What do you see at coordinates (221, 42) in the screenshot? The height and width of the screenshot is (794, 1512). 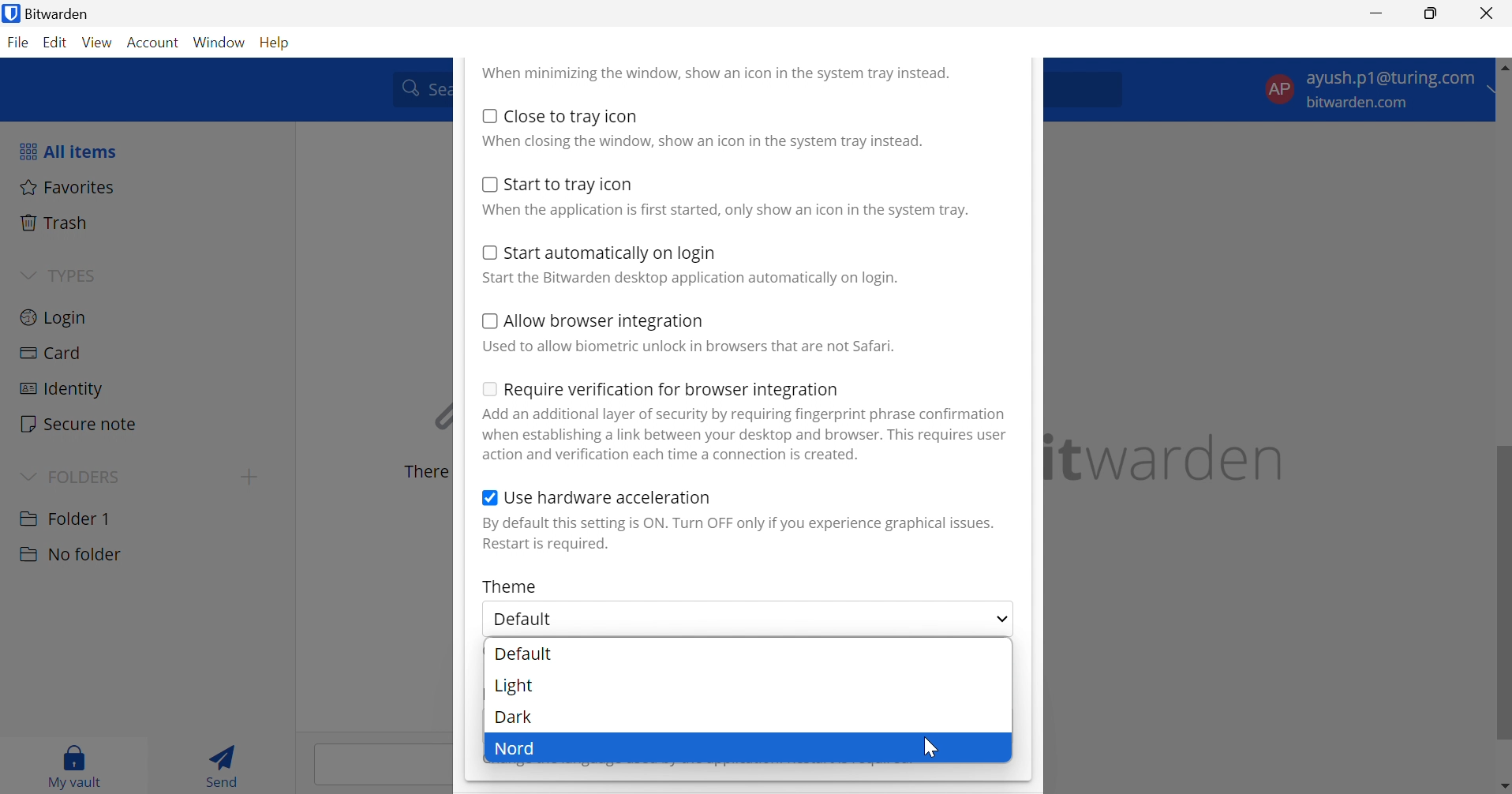 I see `Window` at bounding box center [221, 42].